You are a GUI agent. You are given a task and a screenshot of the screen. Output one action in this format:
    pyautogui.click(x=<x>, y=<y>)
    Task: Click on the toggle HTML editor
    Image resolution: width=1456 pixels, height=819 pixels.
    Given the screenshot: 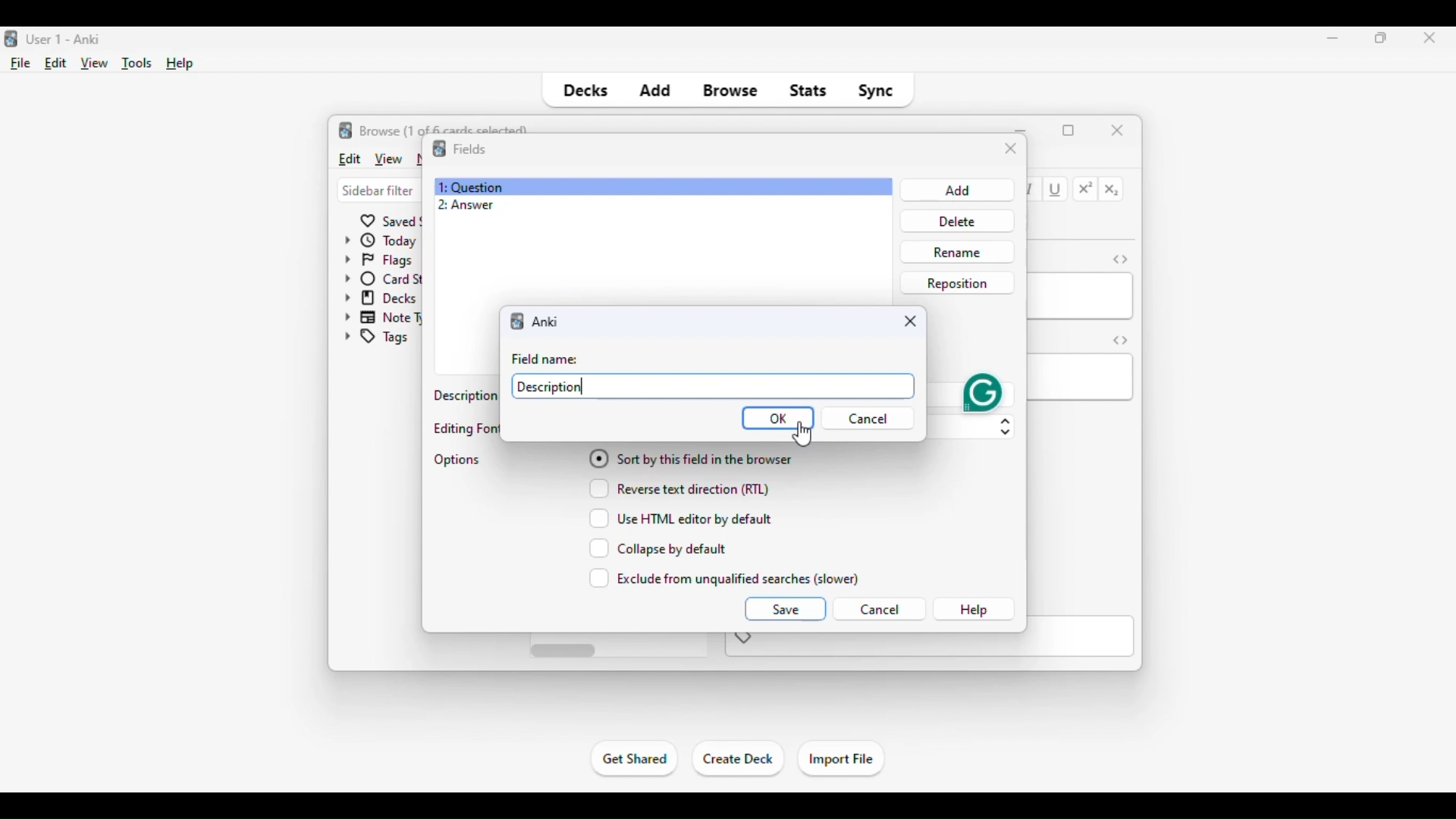 What is the action you would take?
    pyautogui.click(x=1121, y=340)
    